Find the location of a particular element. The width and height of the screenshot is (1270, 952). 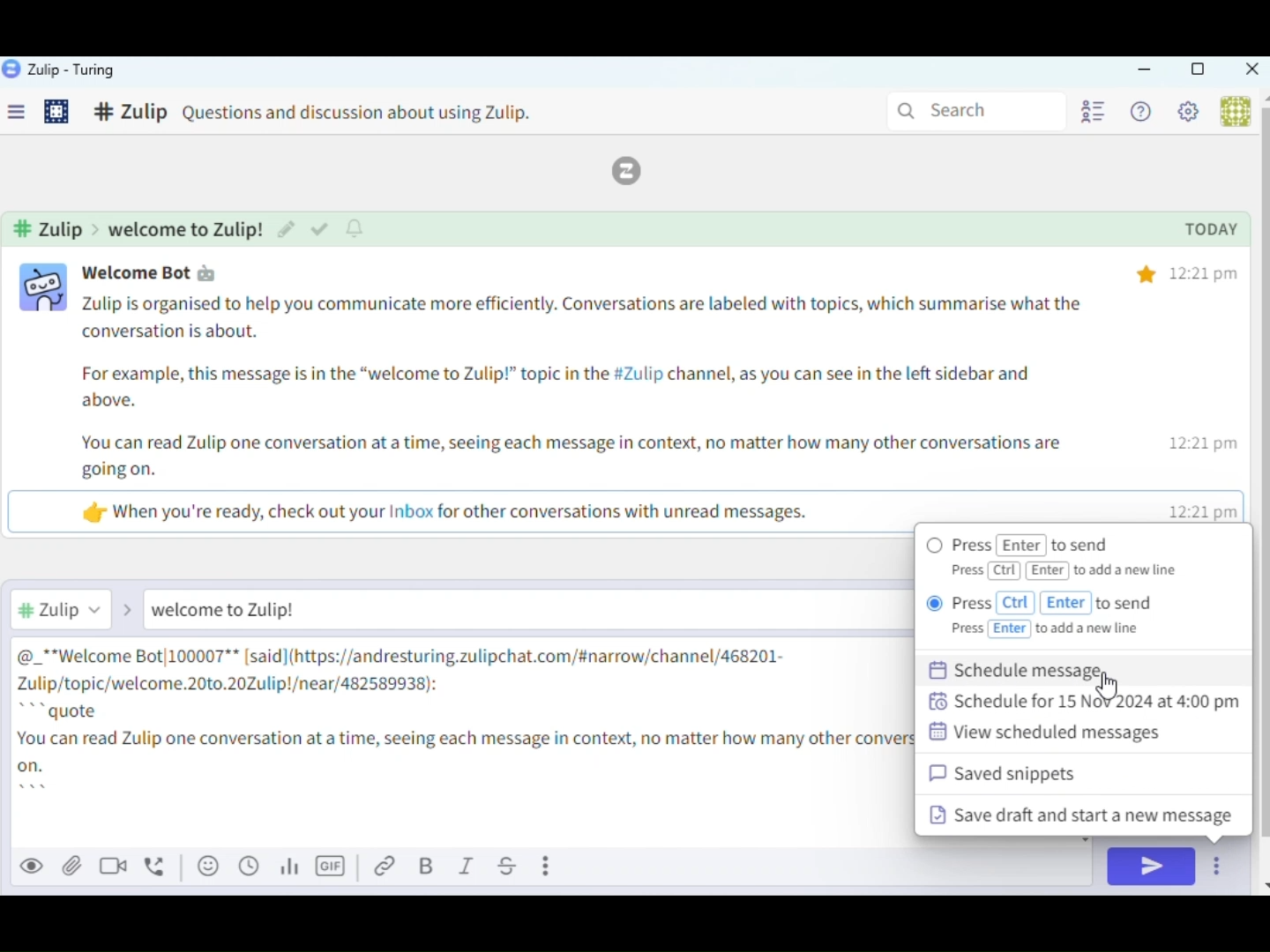

Enter to send is located at coordinates (1047, 546).